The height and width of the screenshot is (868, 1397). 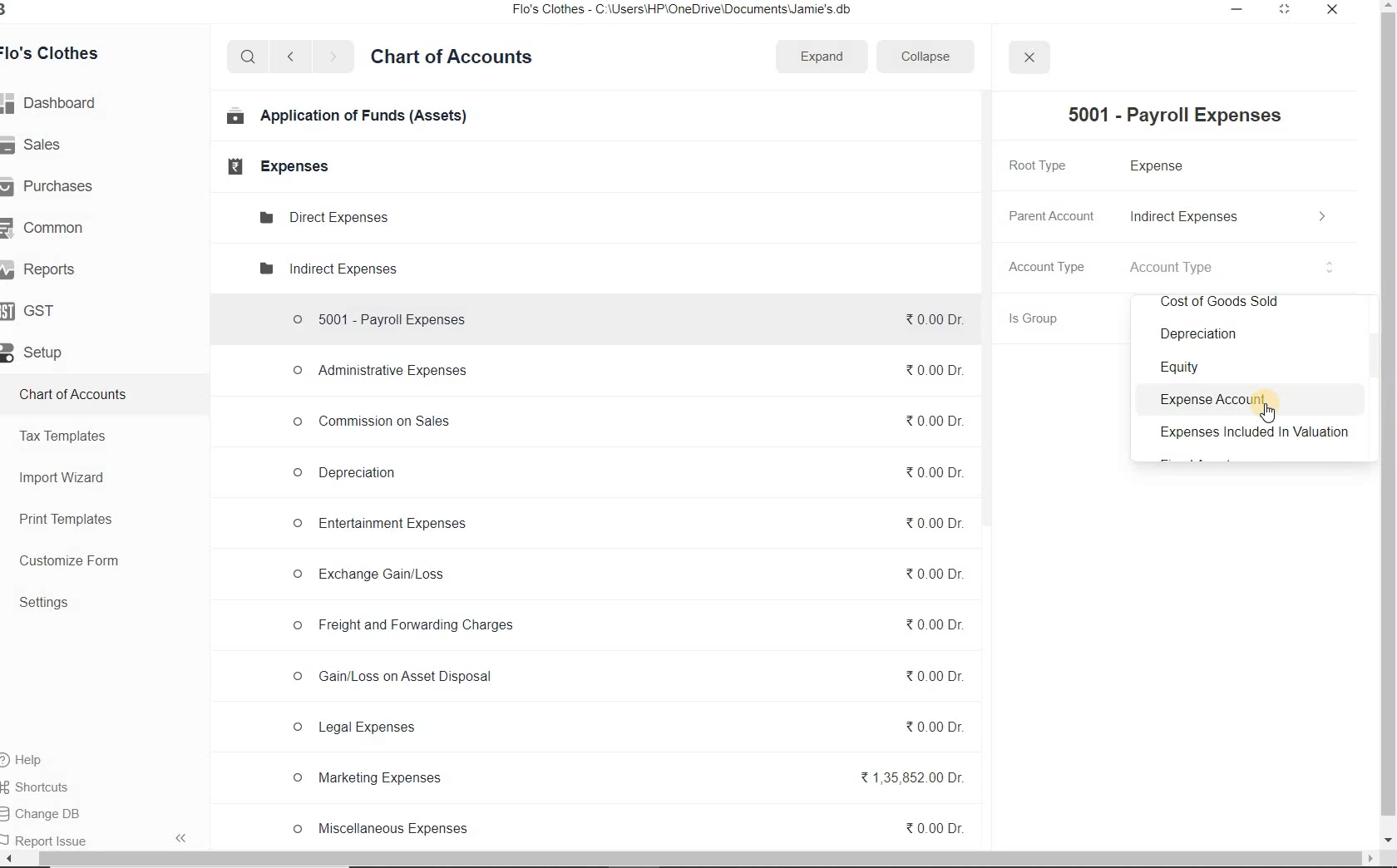 I want to click on vertical scrollbar, so click(x=1389, y=414).